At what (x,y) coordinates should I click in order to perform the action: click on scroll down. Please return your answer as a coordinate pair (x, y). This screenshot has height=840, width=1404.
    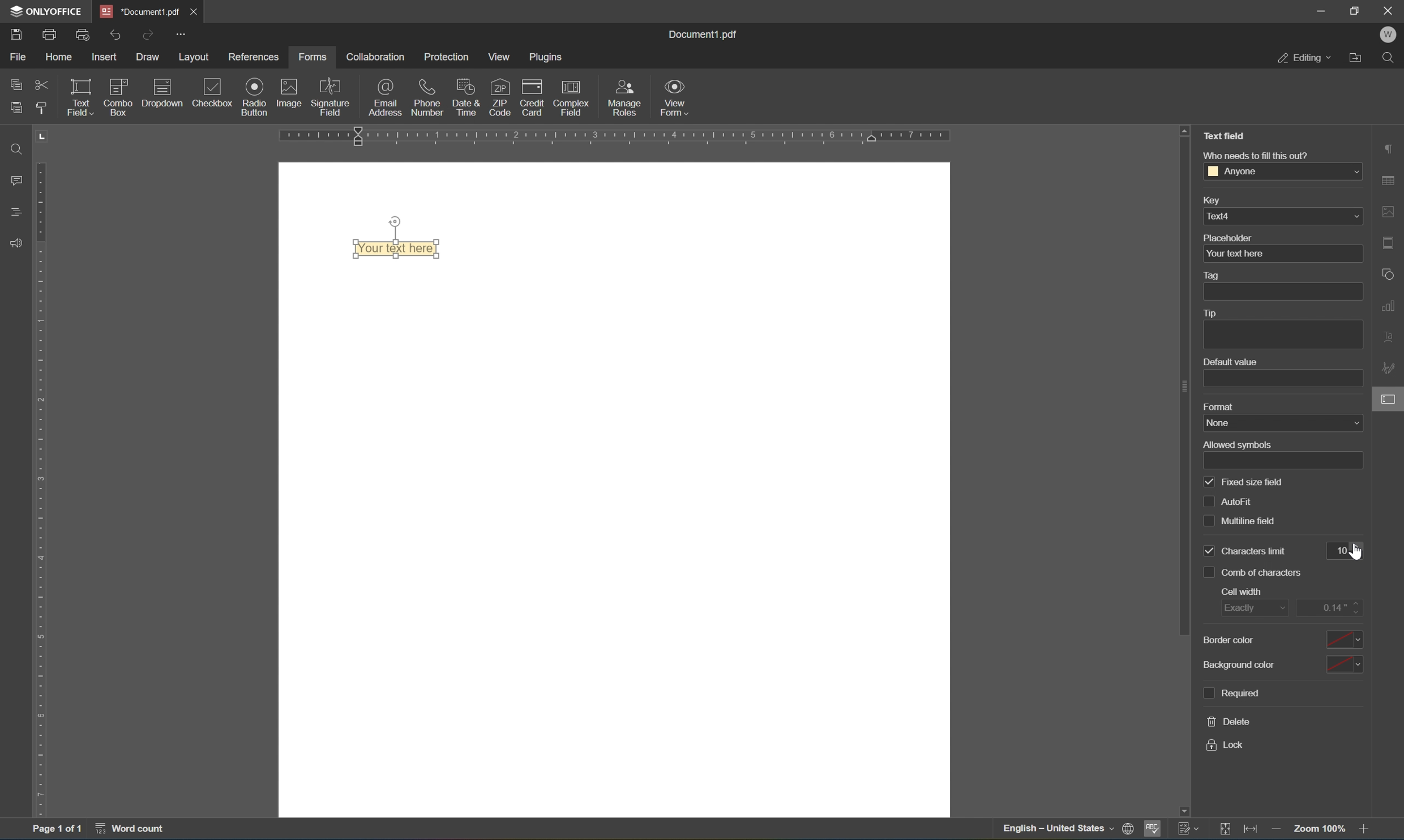
    Looking at the image, I should click on (1368, 808).